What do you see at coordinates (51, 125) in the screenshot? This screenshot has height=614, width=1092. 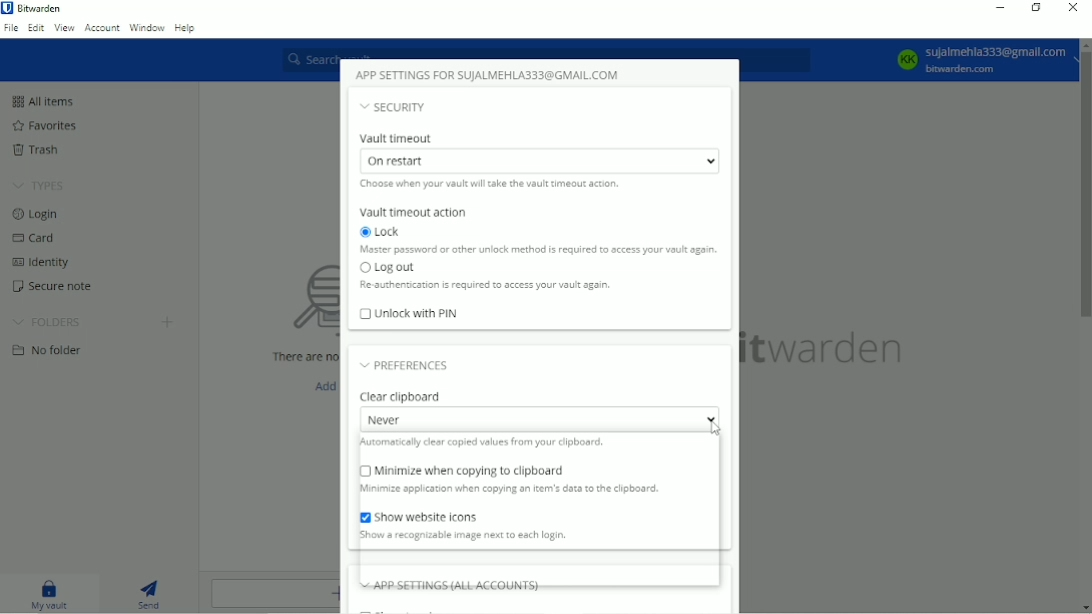 I see `Favorites` at bounding box center [51, 125].